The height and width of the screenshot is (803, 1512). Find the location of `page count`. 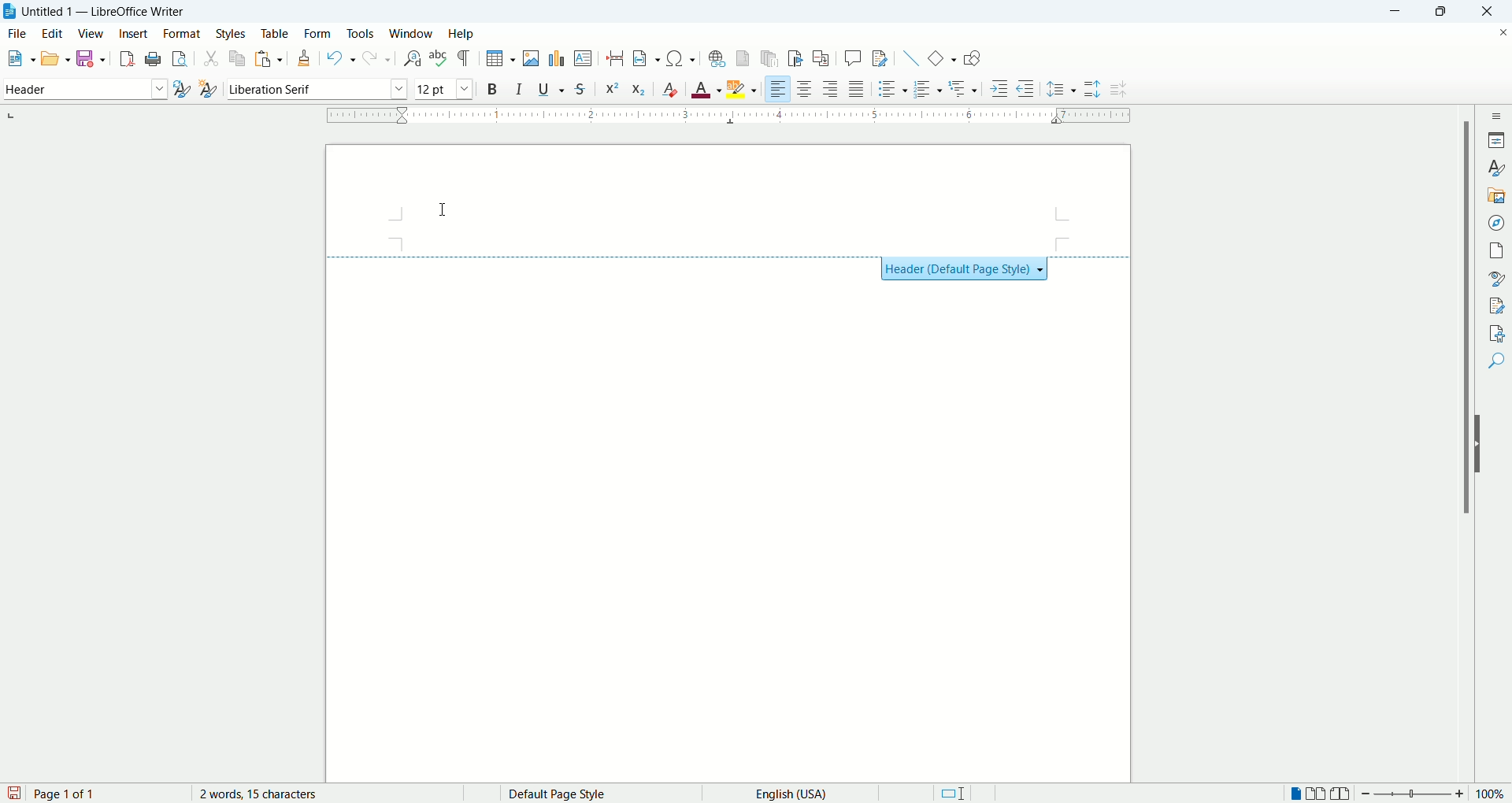

page count is located at coordinates (111, 793).